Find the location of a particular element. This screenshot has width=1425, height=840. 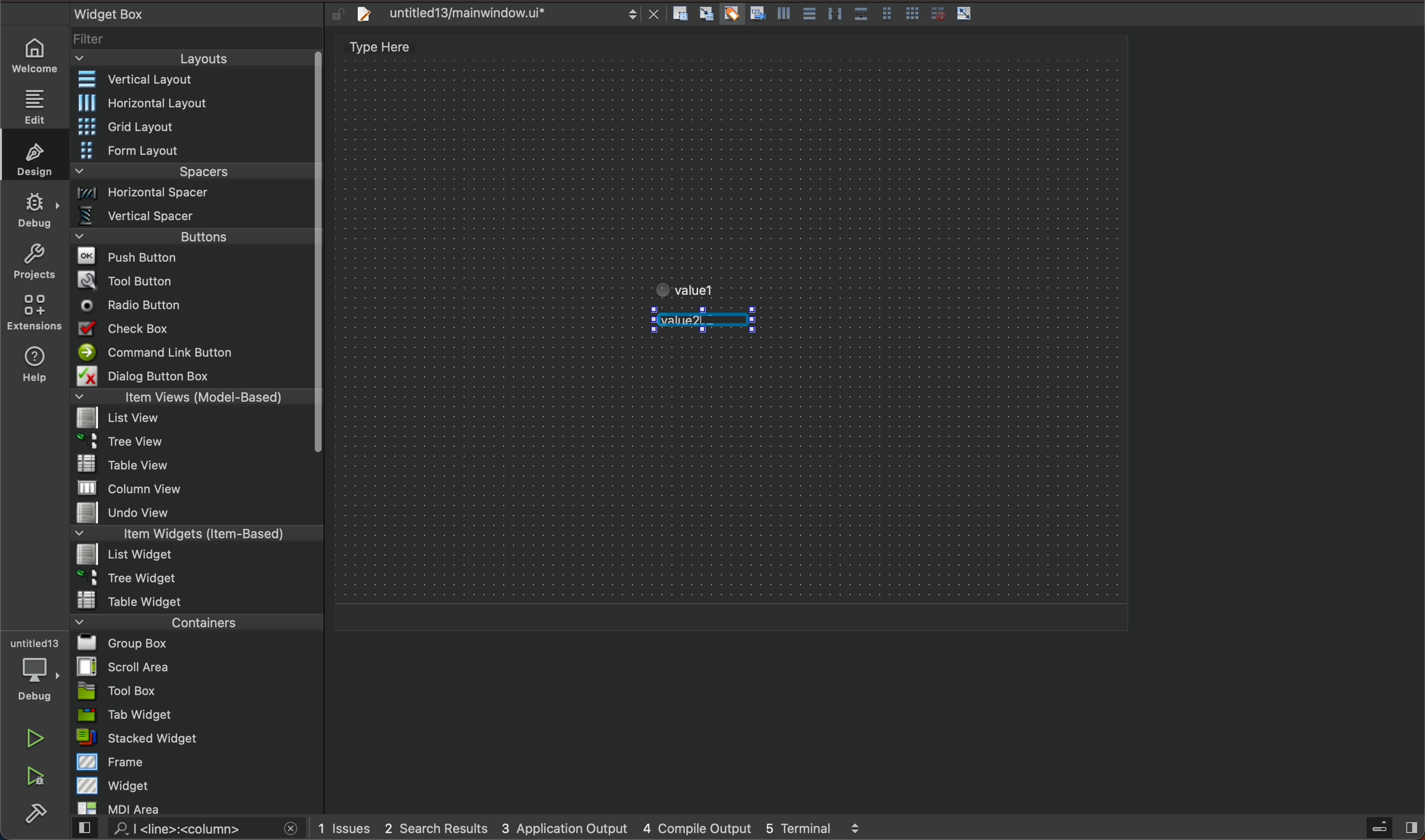

mdi area is located at coordinates (196, 806).